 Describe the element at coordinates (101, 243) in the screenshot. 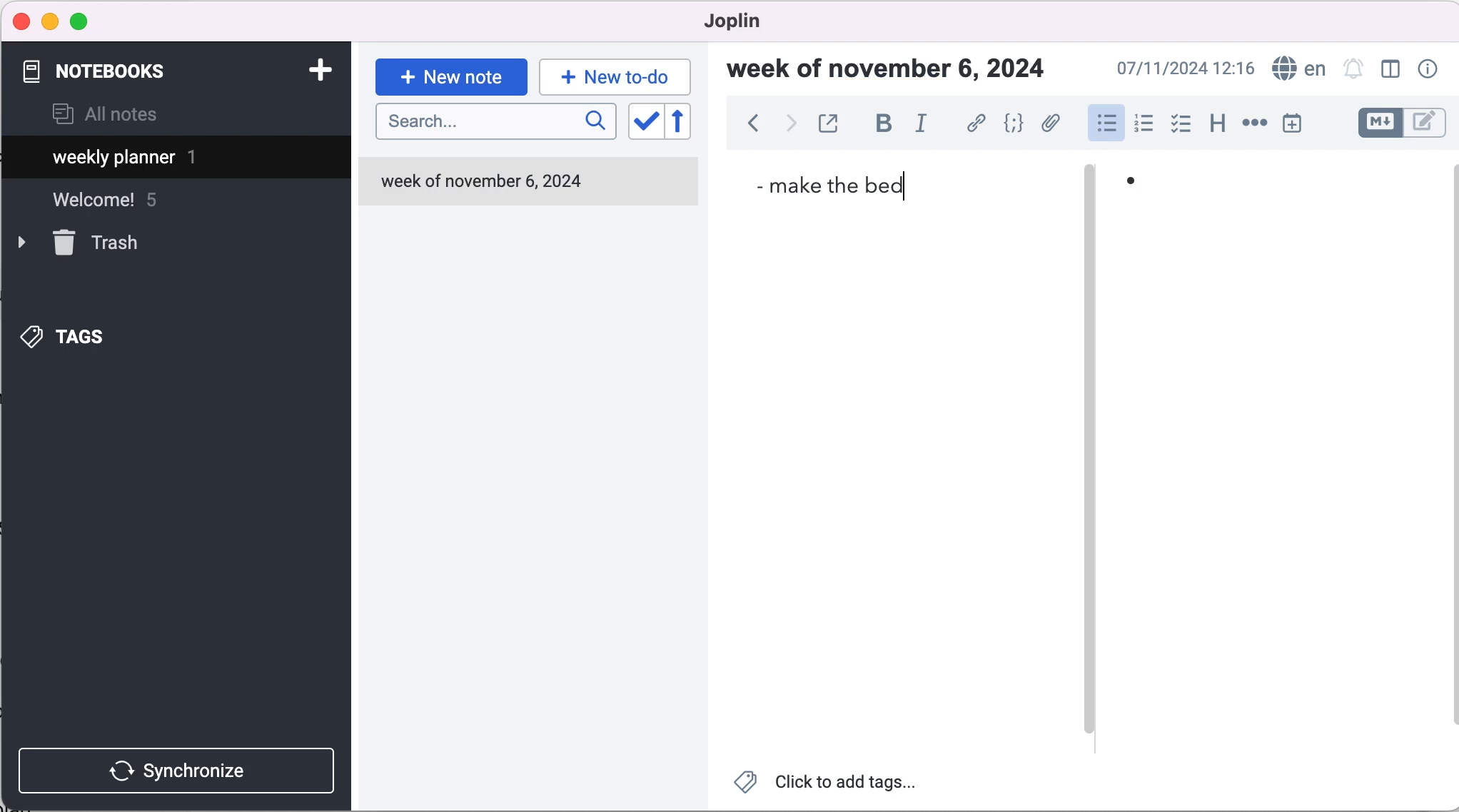

I see `trash` at that location.